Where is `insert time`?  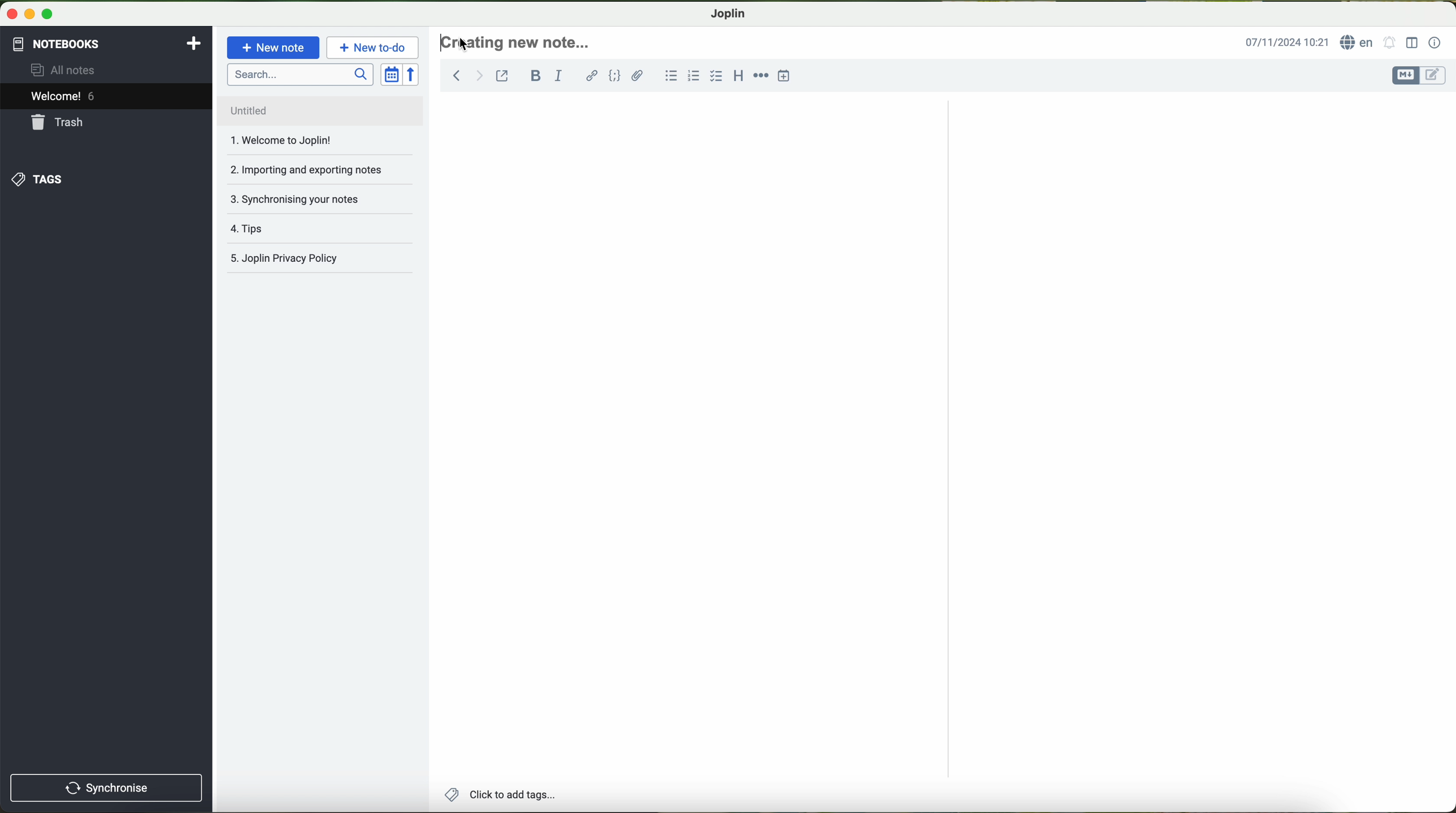
insert time is located at coordinates (784, 76).